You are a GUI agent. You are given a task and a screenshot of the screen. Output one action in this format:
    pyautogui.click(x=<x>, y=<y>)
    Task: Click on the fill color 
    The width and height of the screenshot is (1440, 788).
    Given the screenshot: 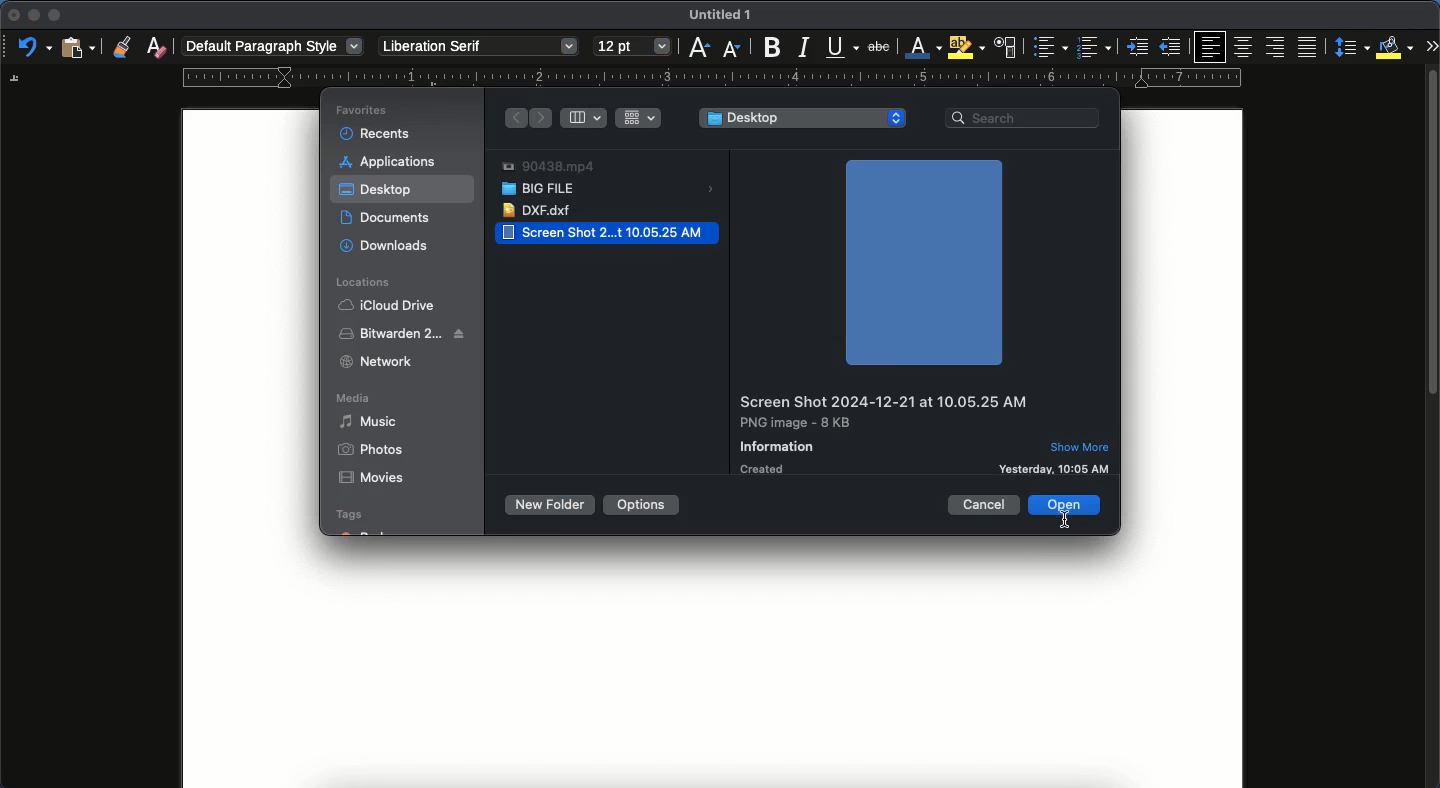 What is the action you would take?
    pyautogui.click(x=1395, y=46)
    